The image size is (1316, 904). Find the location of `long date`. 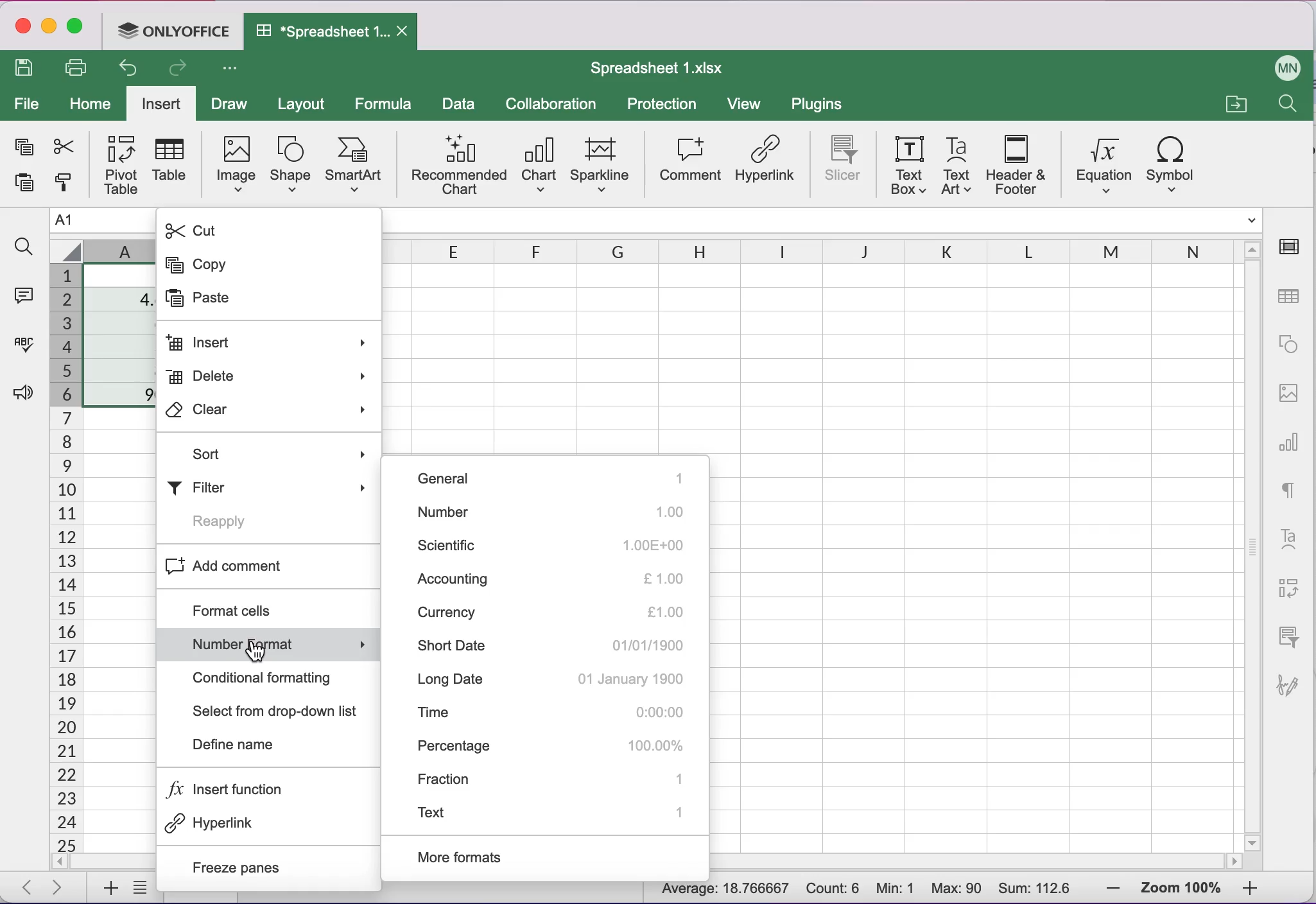

long date is located at coordinates (553, 682).